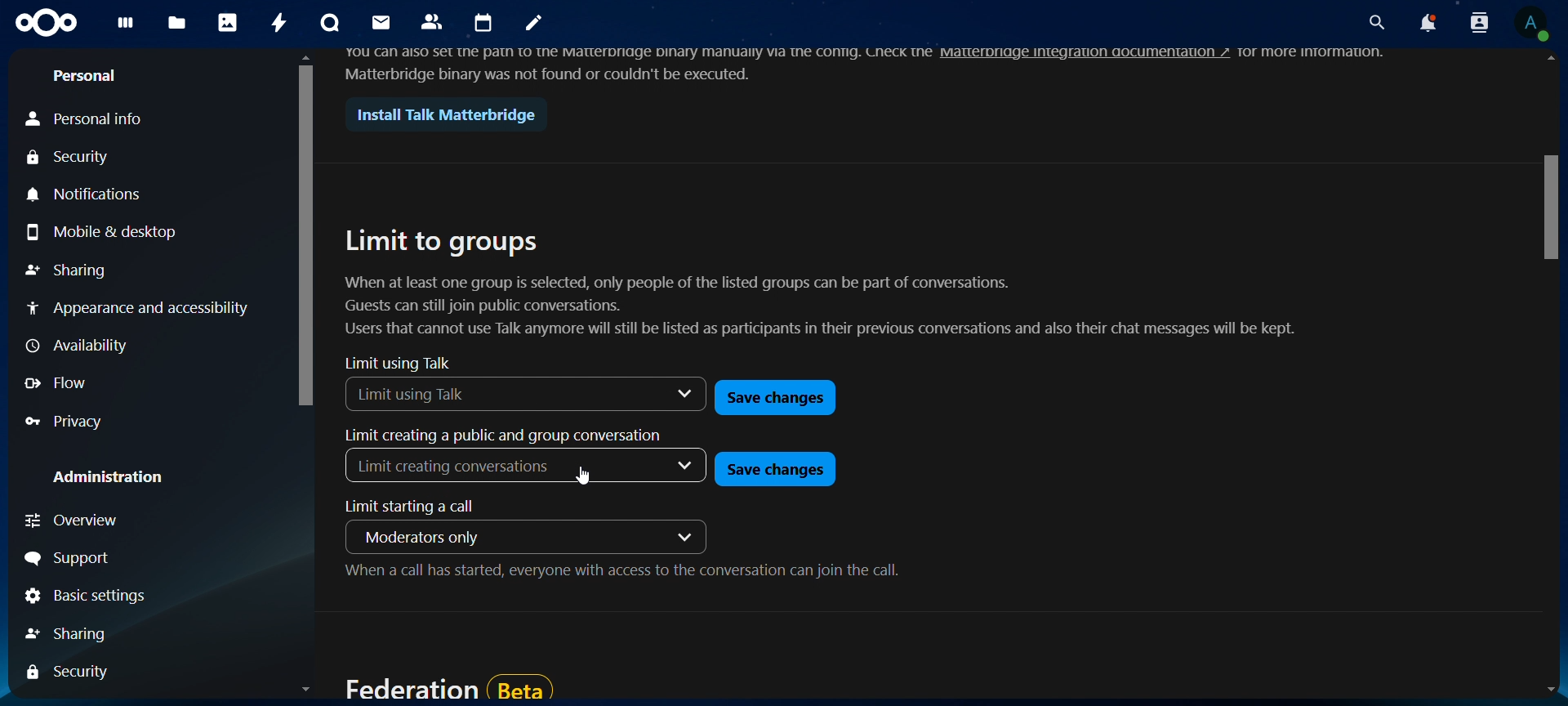  Describe the element at coordinates (116, 556) in the screenshot. I see `Signout` at that location.